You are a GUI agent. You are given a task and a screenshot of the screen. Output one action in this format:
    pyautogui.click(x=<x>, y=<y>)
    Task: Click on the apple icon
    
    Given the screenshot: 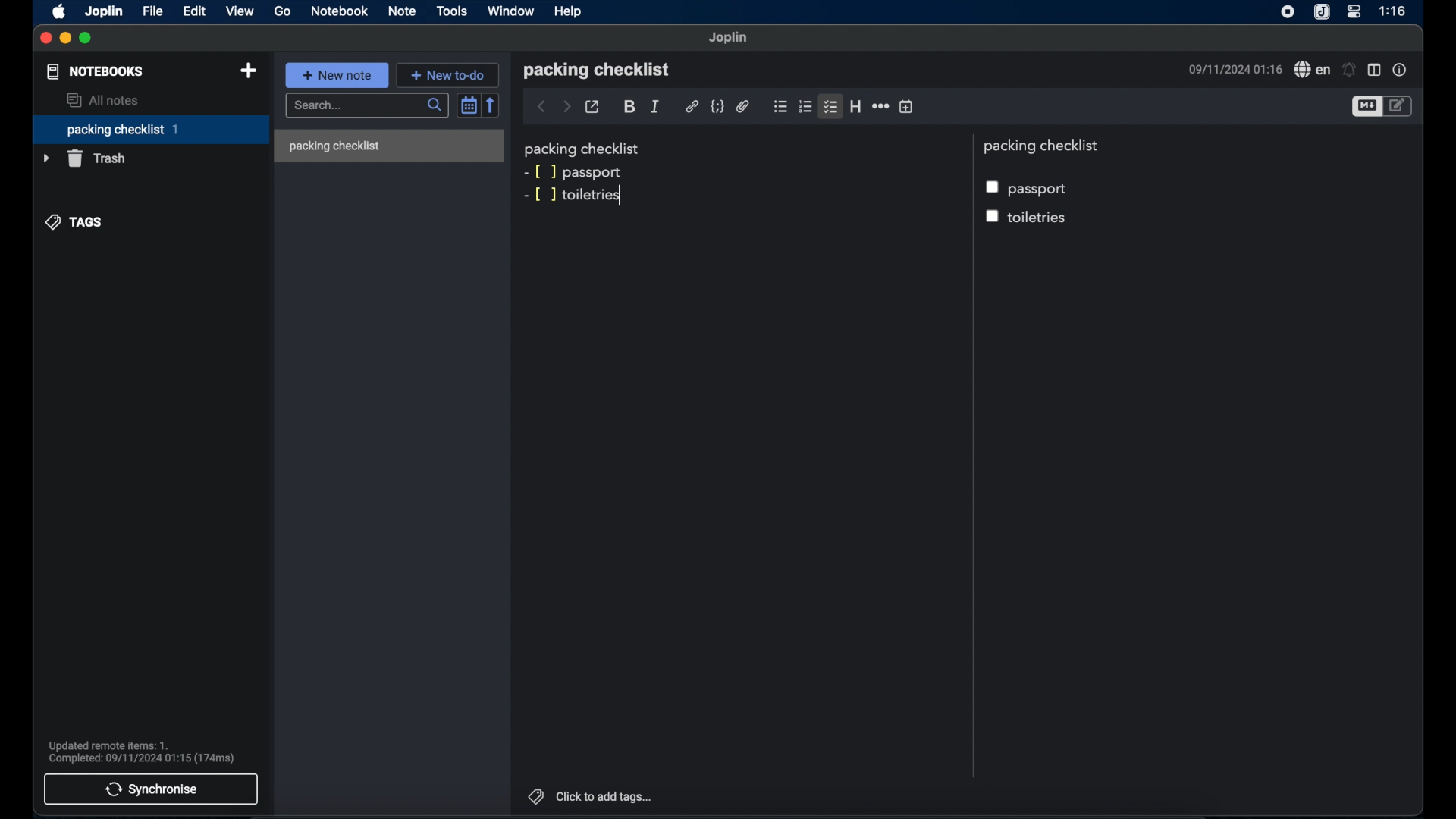 What is the action you would take?
    pyautogui.click(x=58, y=12)
    